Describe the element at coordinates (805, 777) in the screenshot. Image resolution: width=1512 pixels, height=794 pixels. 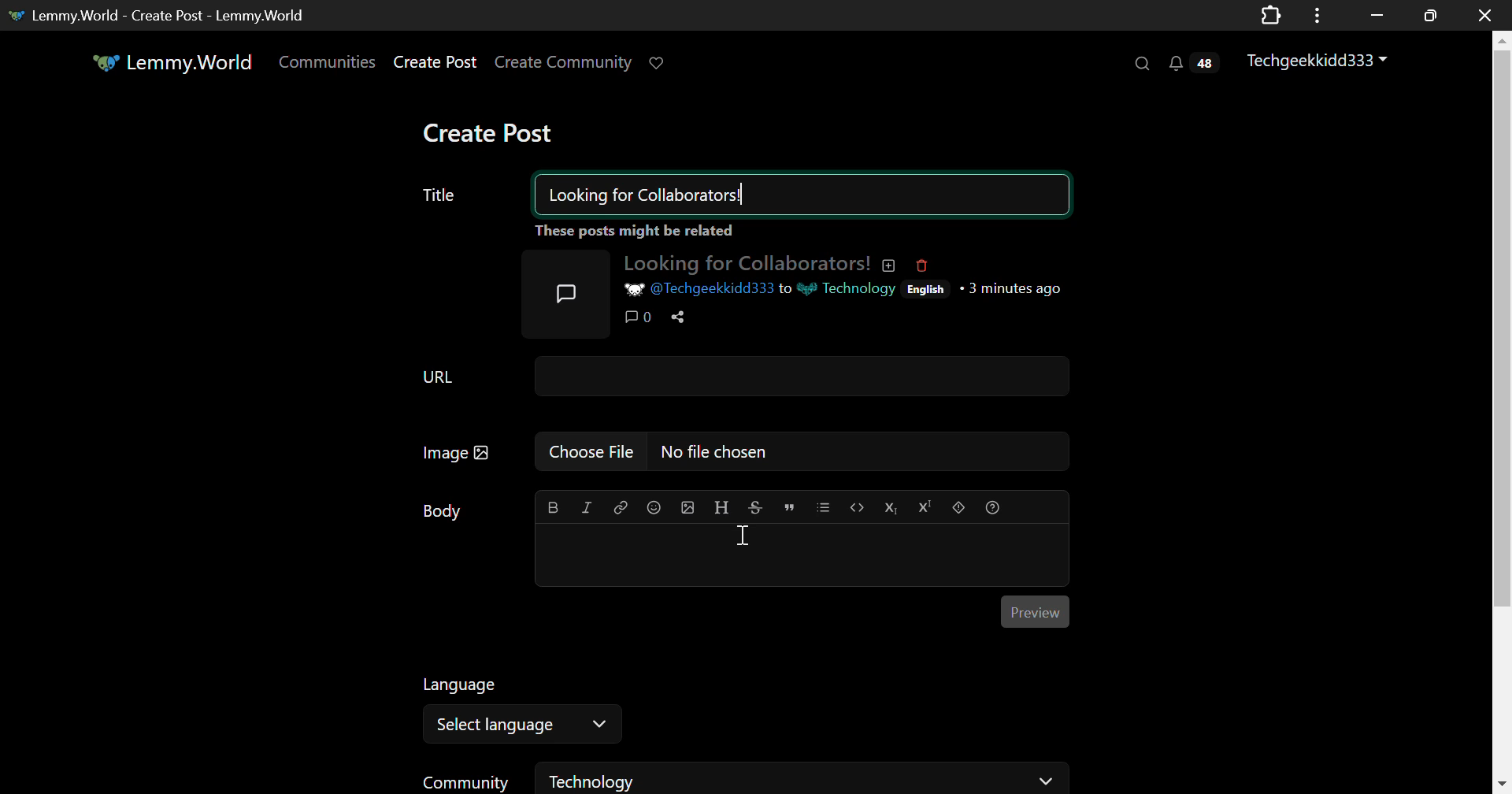
I see `Technology` at that location.